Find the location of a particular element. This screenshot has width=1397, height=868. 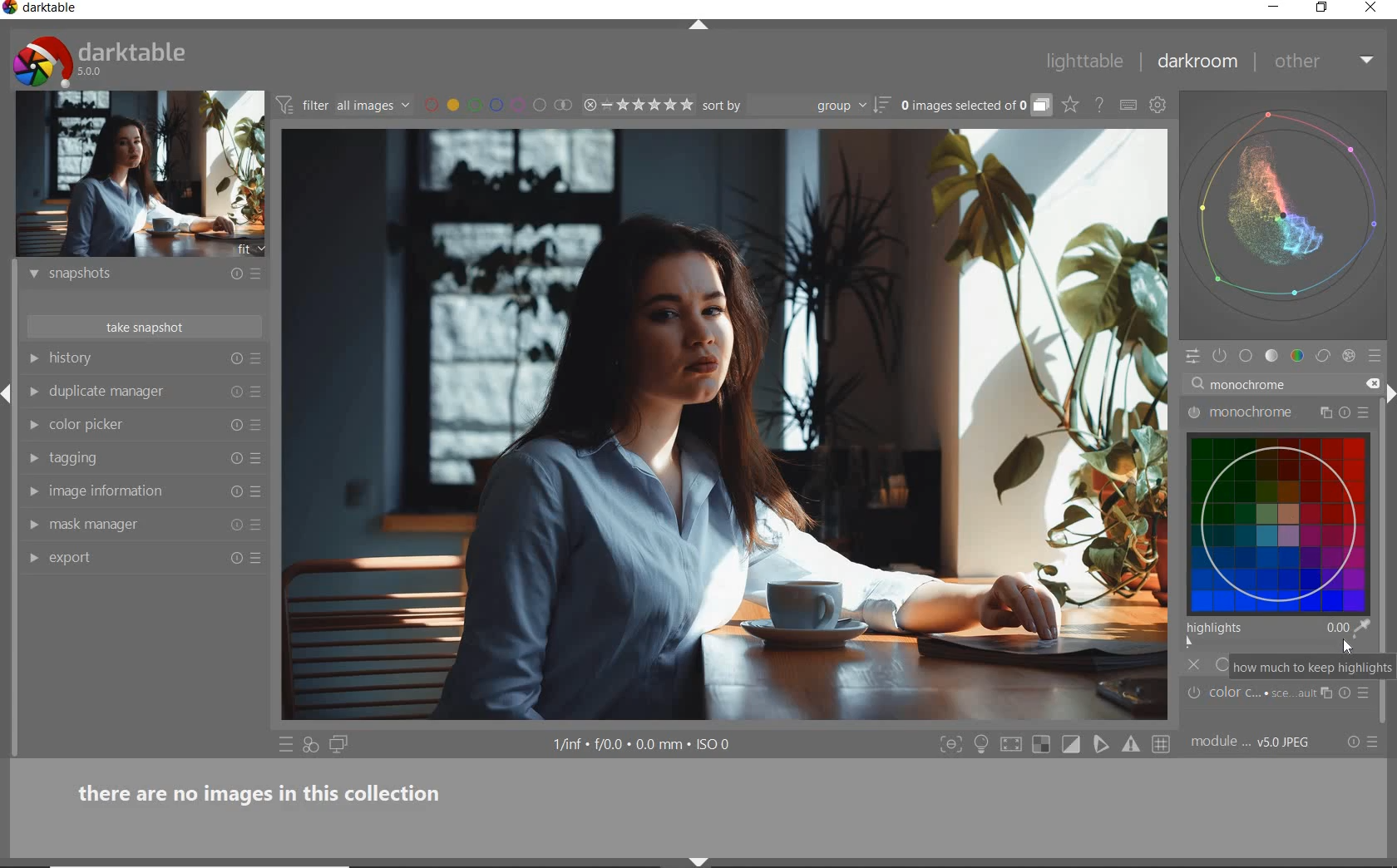

monochrome map is located at coordinates (1282, 517).